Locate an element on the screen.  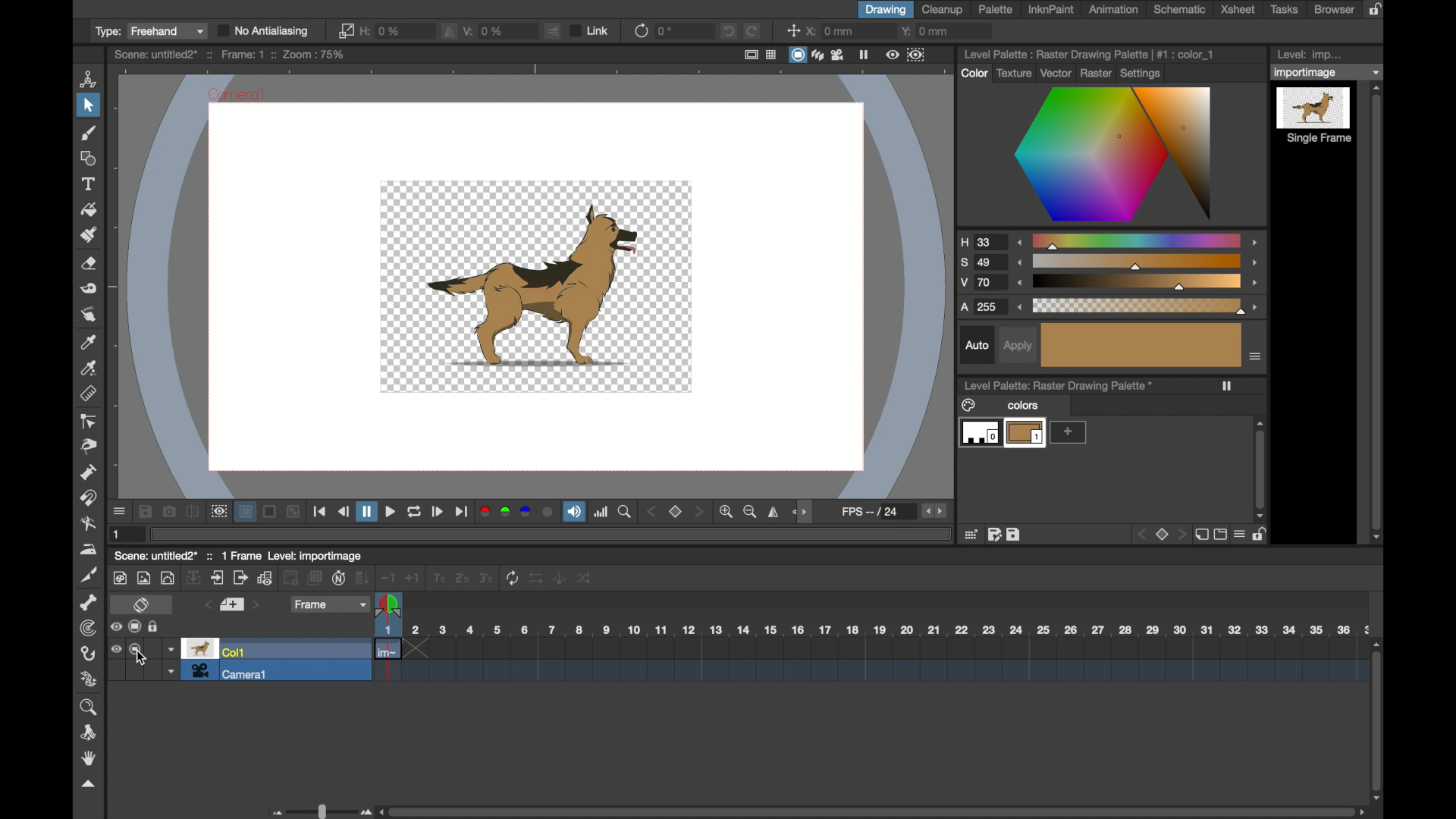
save is located at coordinates (1014, 535).